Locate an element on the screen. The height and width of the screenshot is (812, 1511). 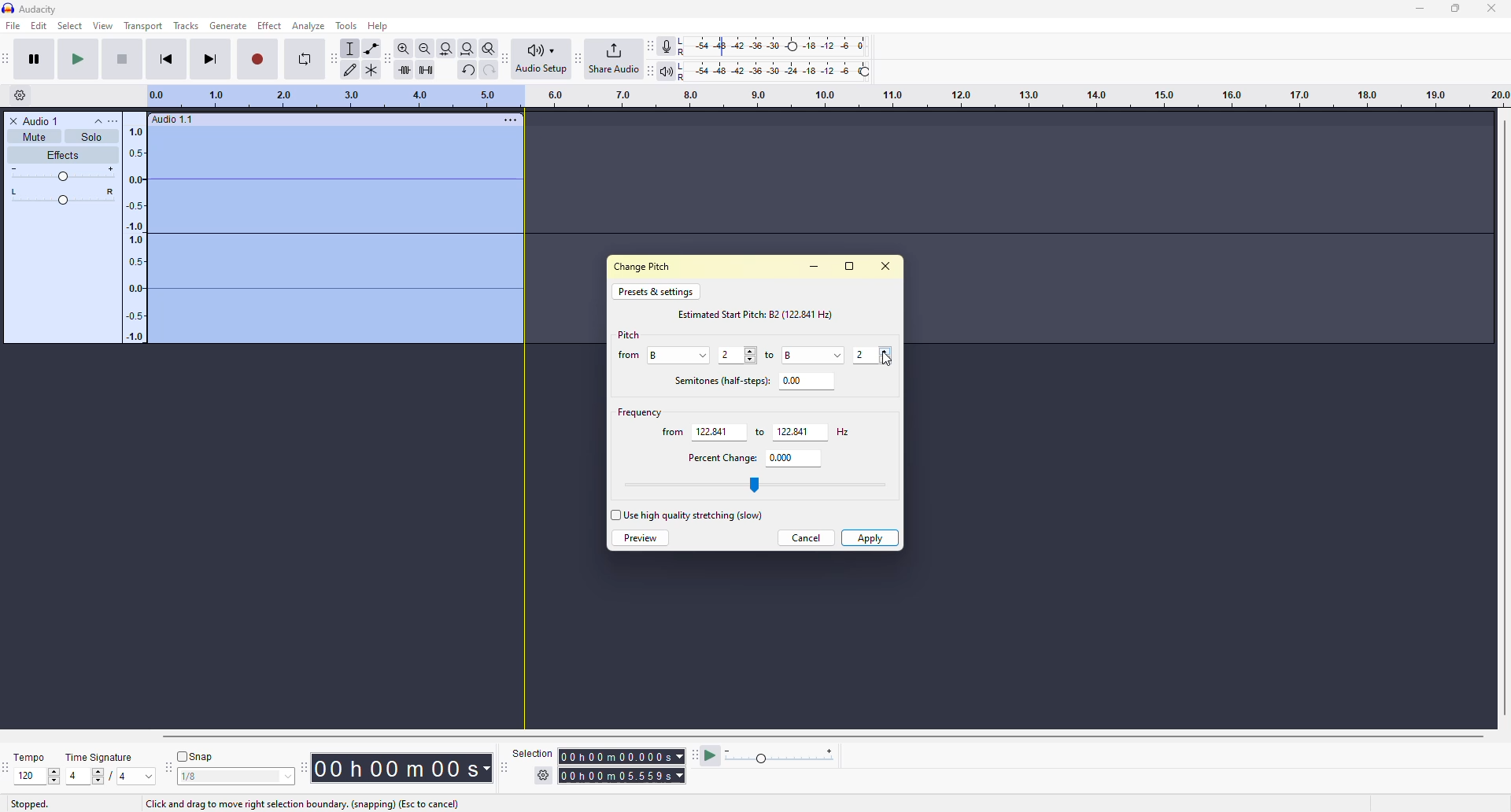
pitch is located at coordinates (629, 334).